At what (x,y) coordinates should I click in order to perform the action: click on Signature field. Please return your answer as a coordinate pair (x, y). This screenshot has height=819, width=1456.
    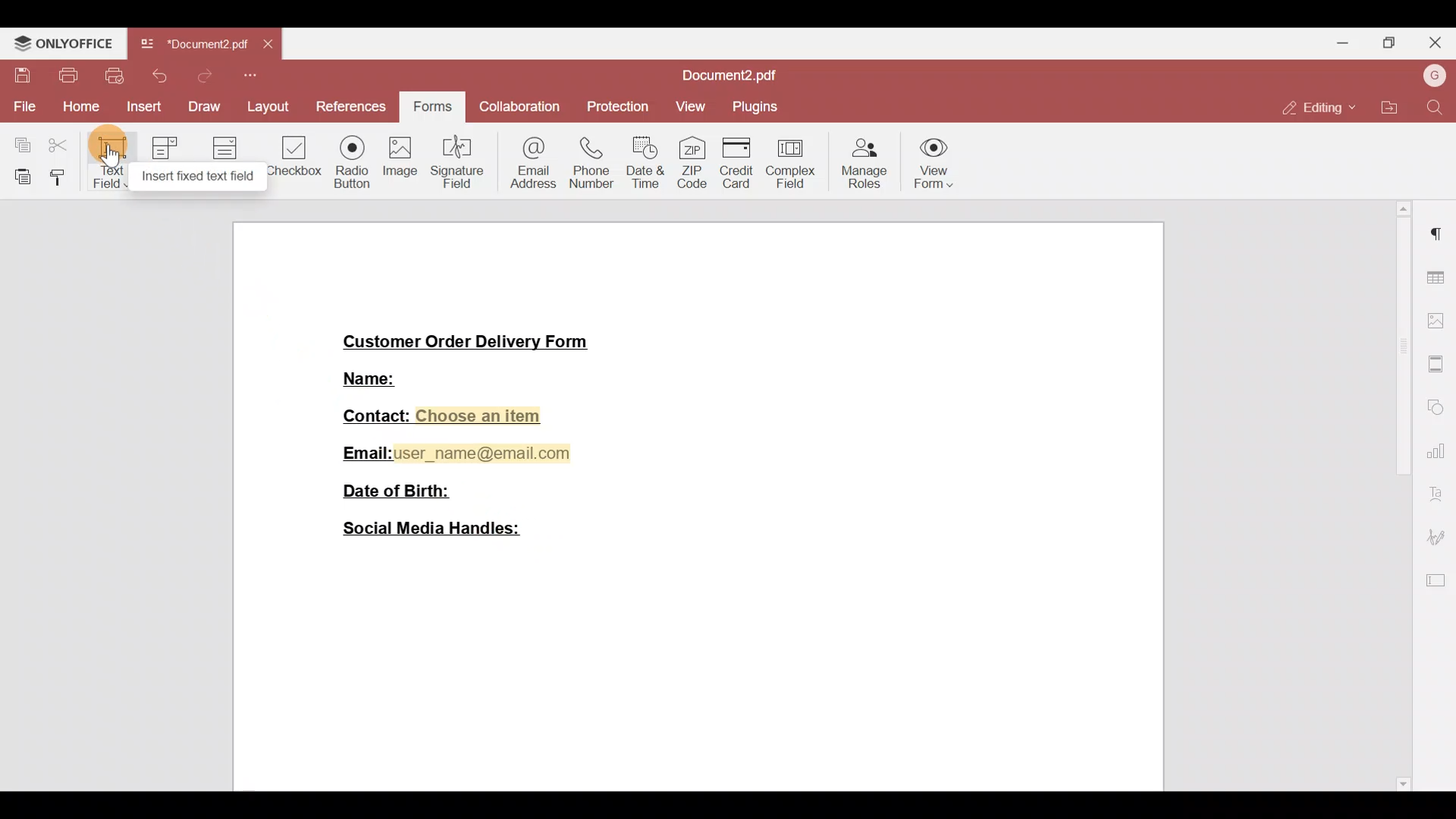
    Looking at the image, I should click on (453, 161).